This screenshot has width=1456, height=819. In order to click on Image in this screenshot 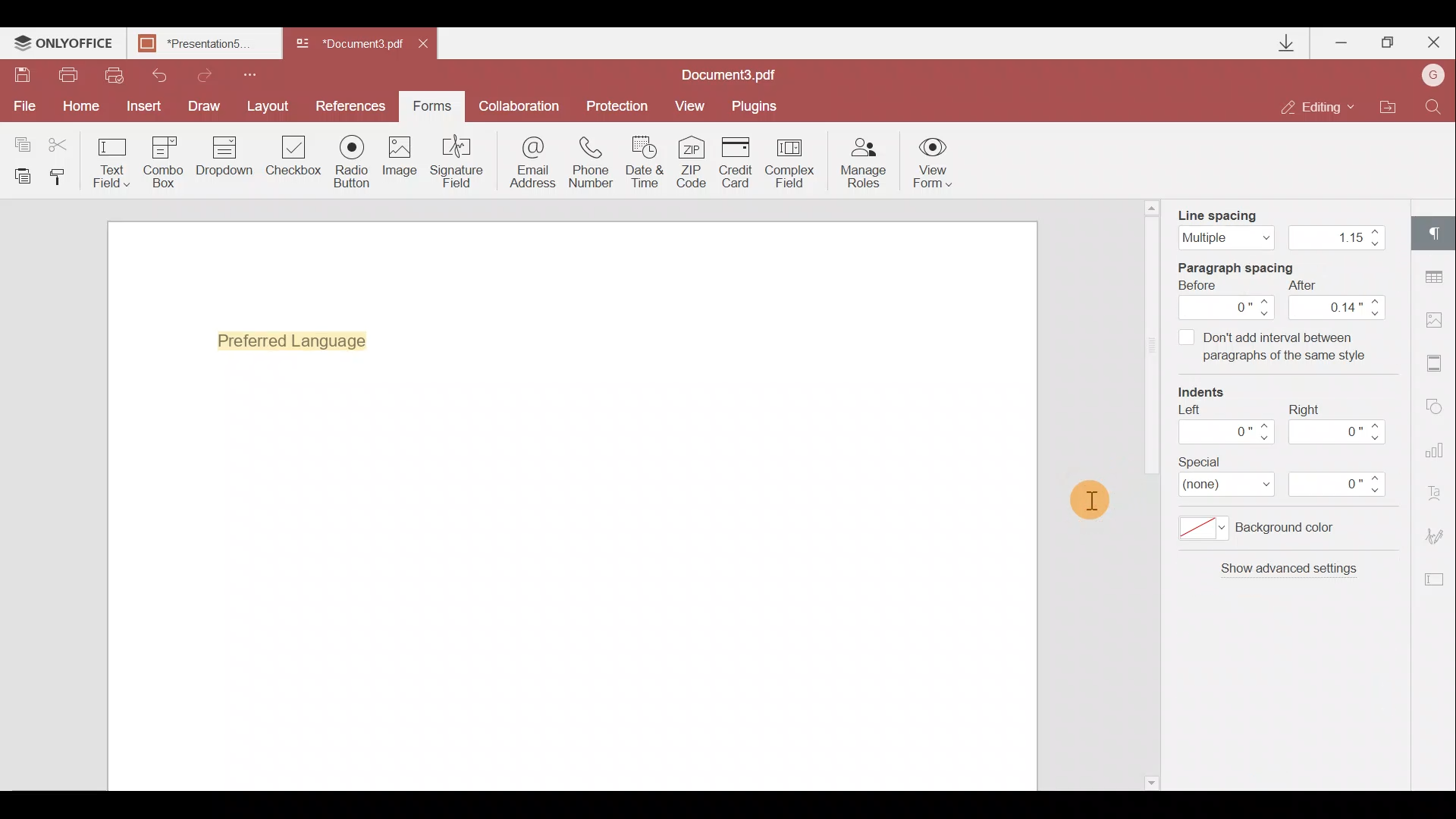, I will do `click(401, 163)`.